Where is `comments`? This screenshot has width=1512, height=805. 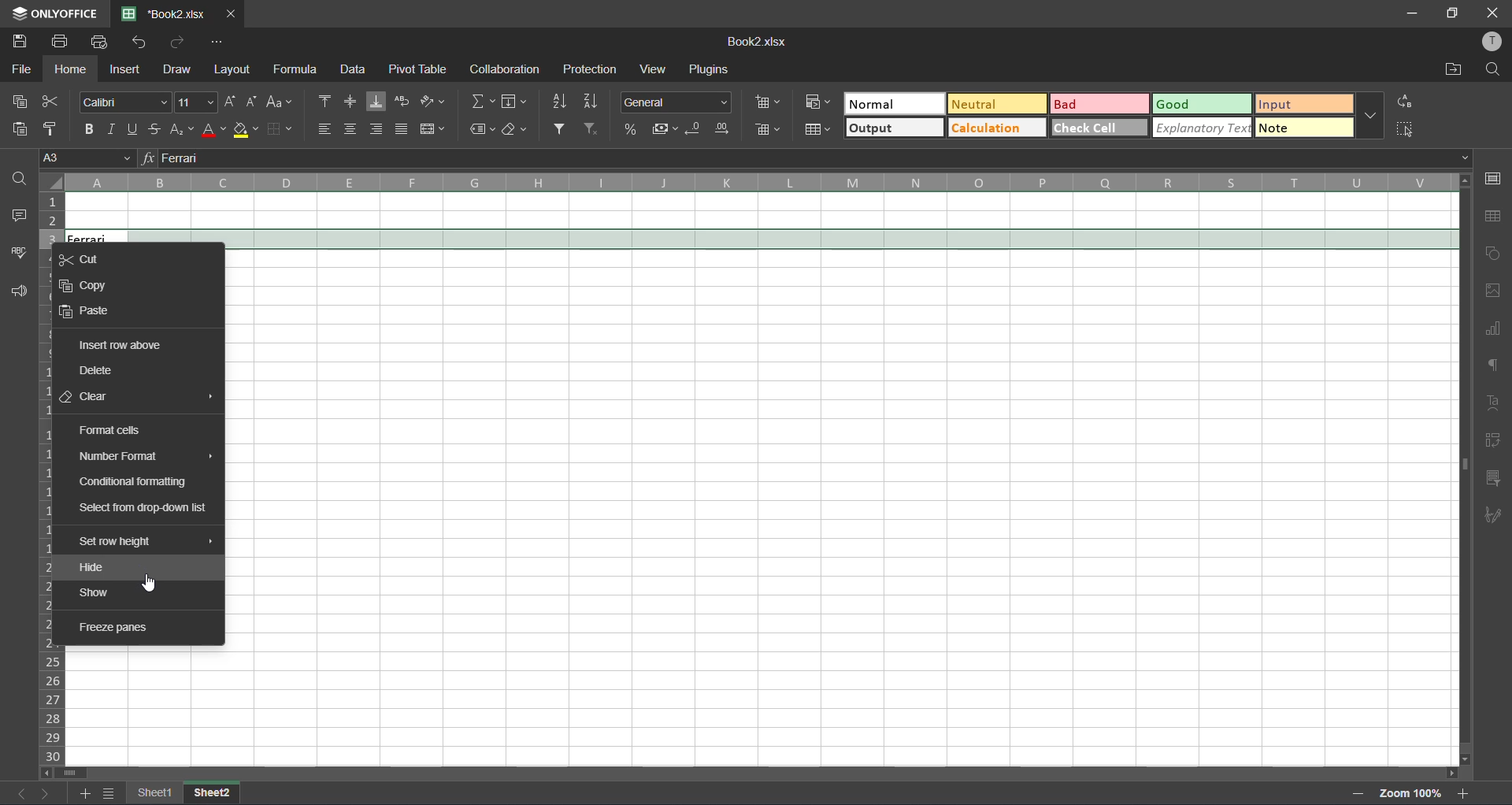
comments is located at coordinates (18, 216).